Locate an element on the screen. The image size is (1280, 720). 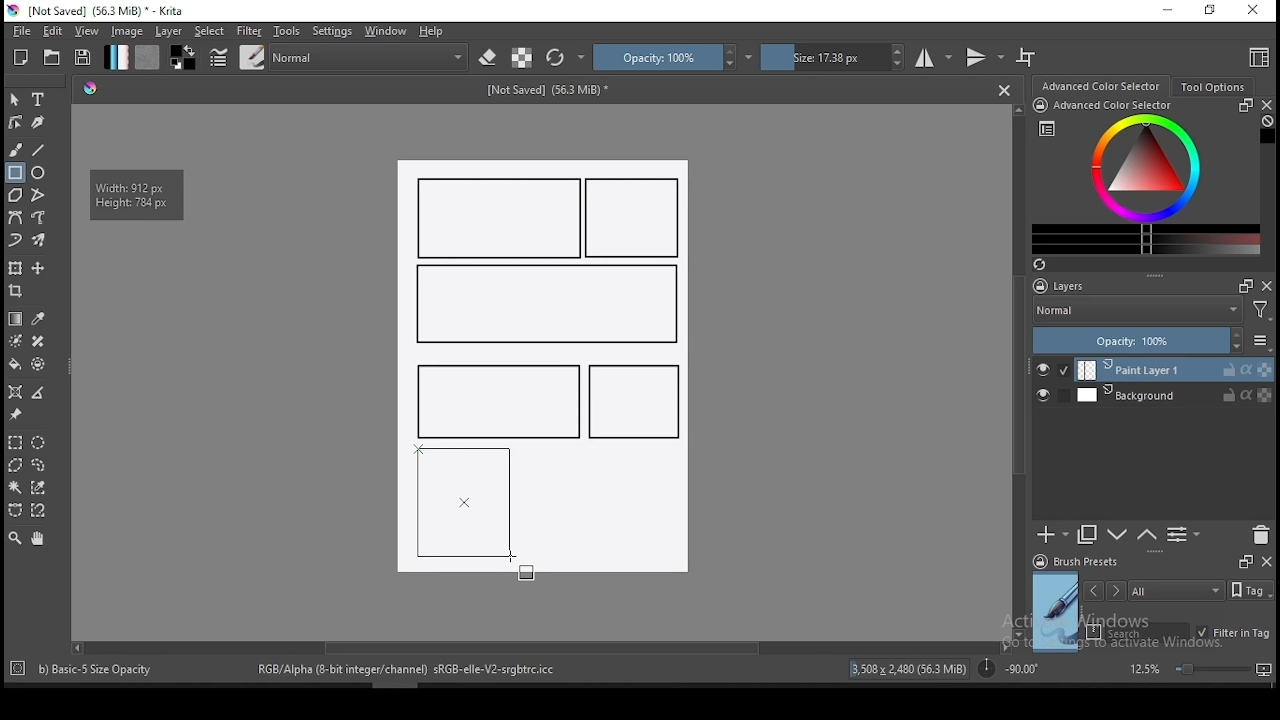
paint bucket tool is located at coordinates (15, 364).